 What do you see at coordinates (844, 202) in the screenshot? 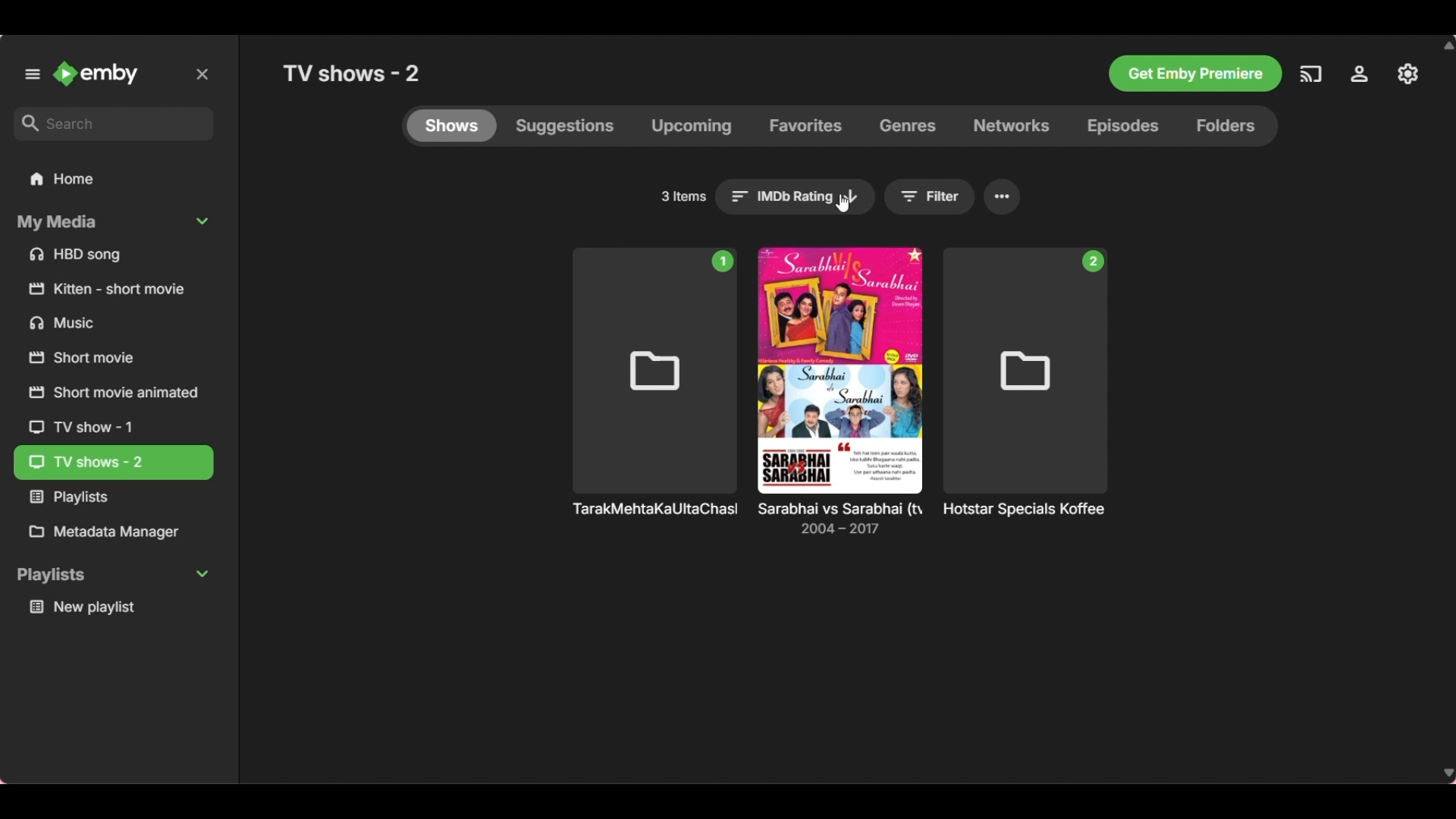
I see `cursor` at bounding box center [844, 202].